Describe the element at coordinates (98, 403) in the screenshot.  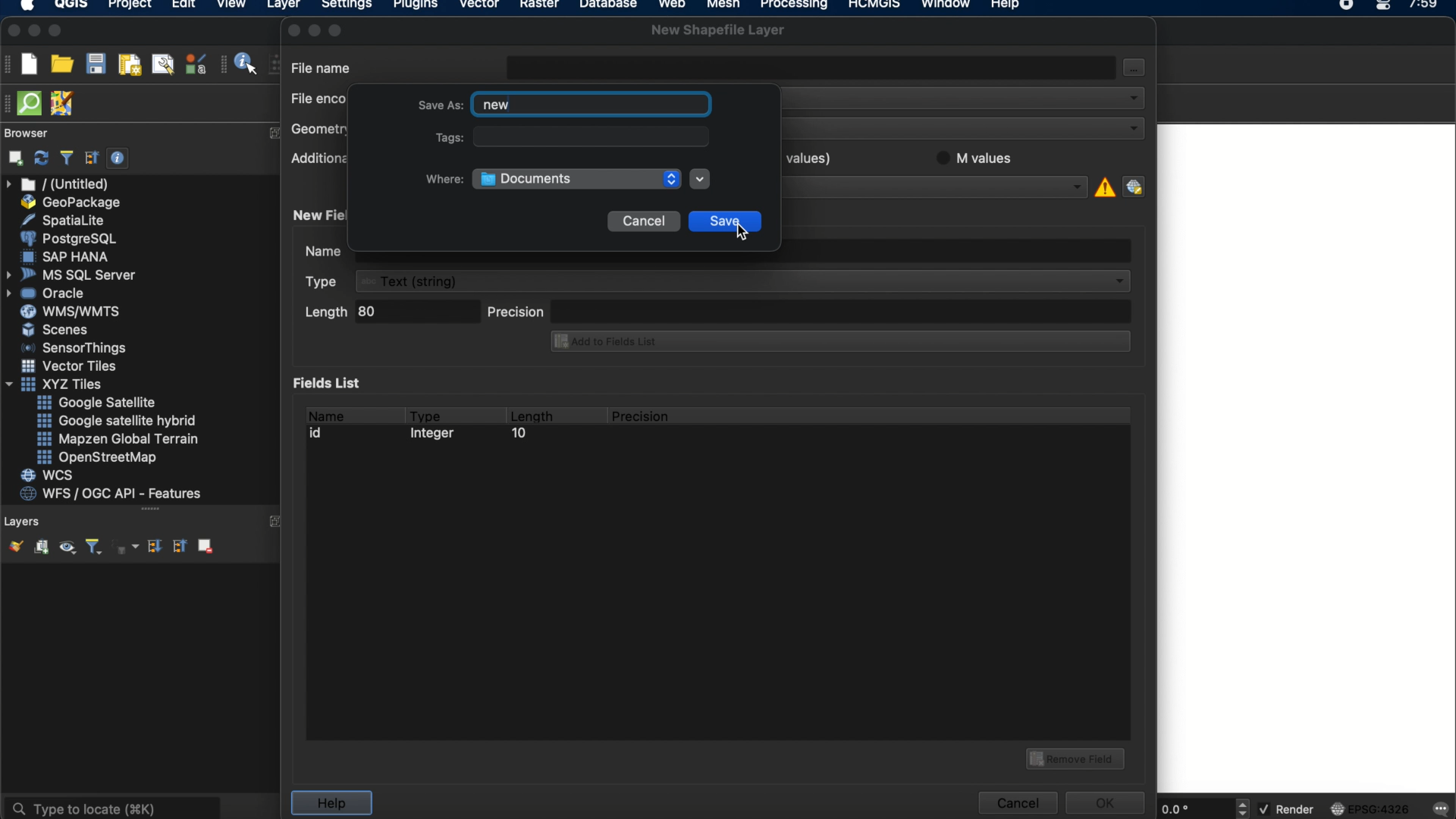
I see `google satellite` at that location.